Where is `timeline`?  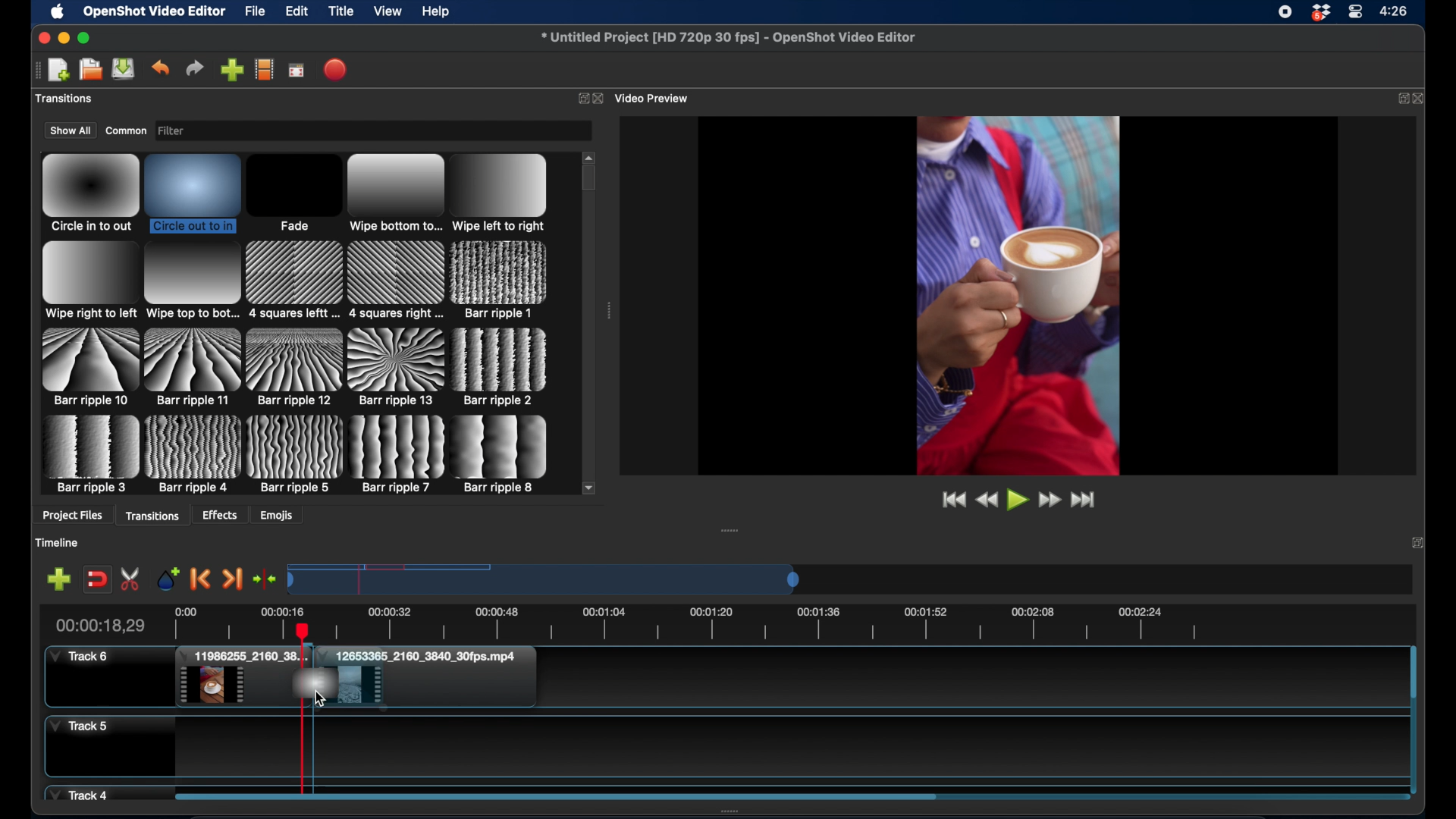
timeline is located at coordinates (751, 621).